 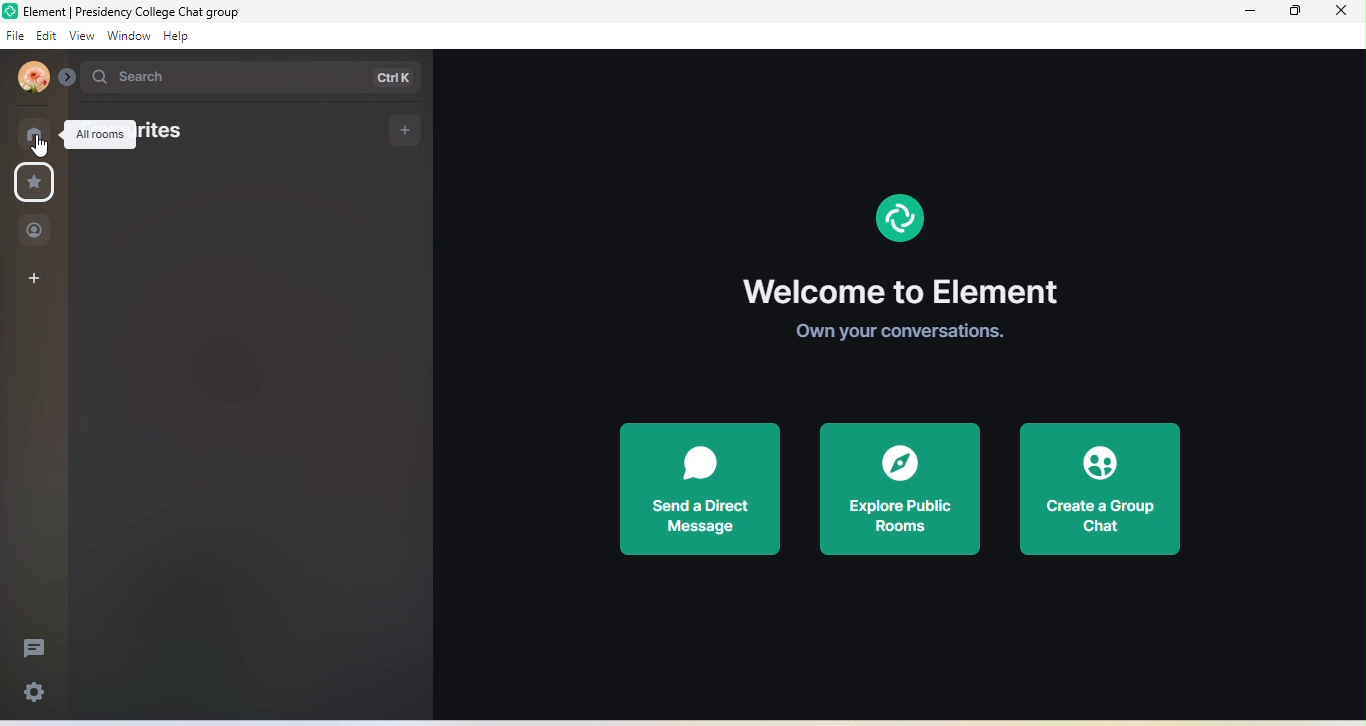 What do you see at coordinates (150, 12) in the screenshot?
I see `title` at bounding box center [150, 12].